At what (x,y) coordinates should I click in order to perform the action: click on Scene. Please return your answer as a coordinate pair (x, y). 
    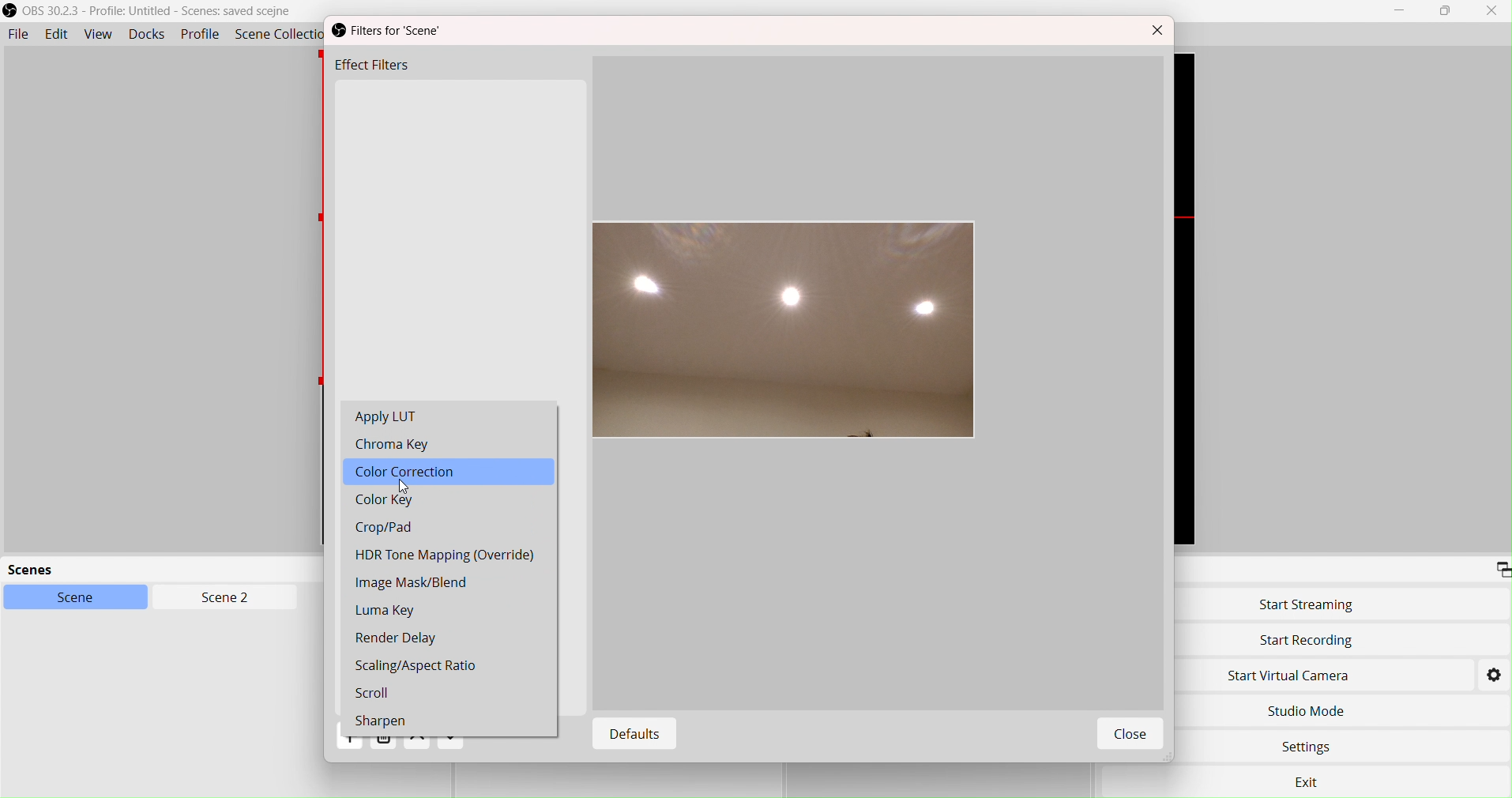
    Looking at the image, I should click on (85, 598).